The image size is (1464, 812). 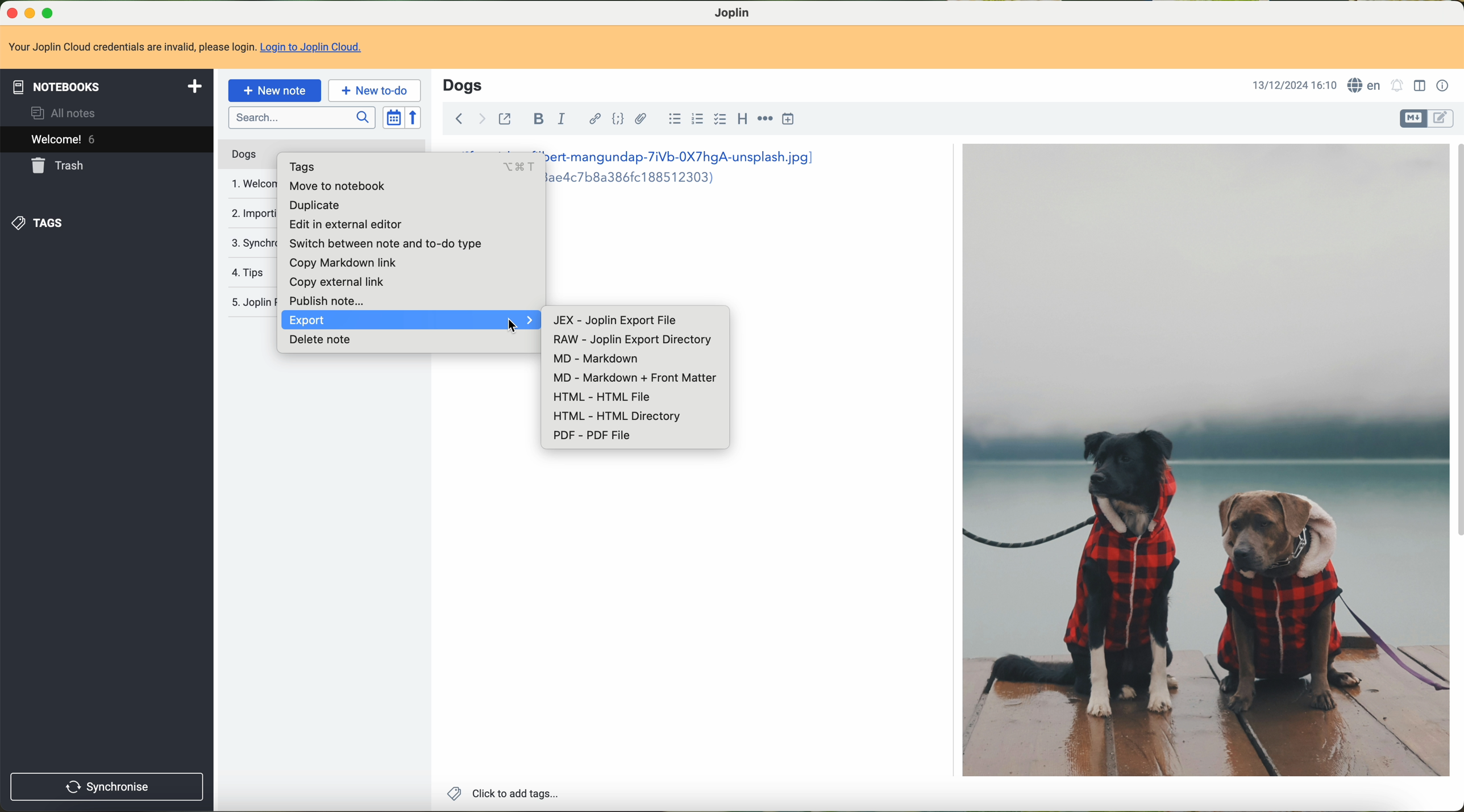 I want to click on toggle editors, so click(x=1442, y=118).